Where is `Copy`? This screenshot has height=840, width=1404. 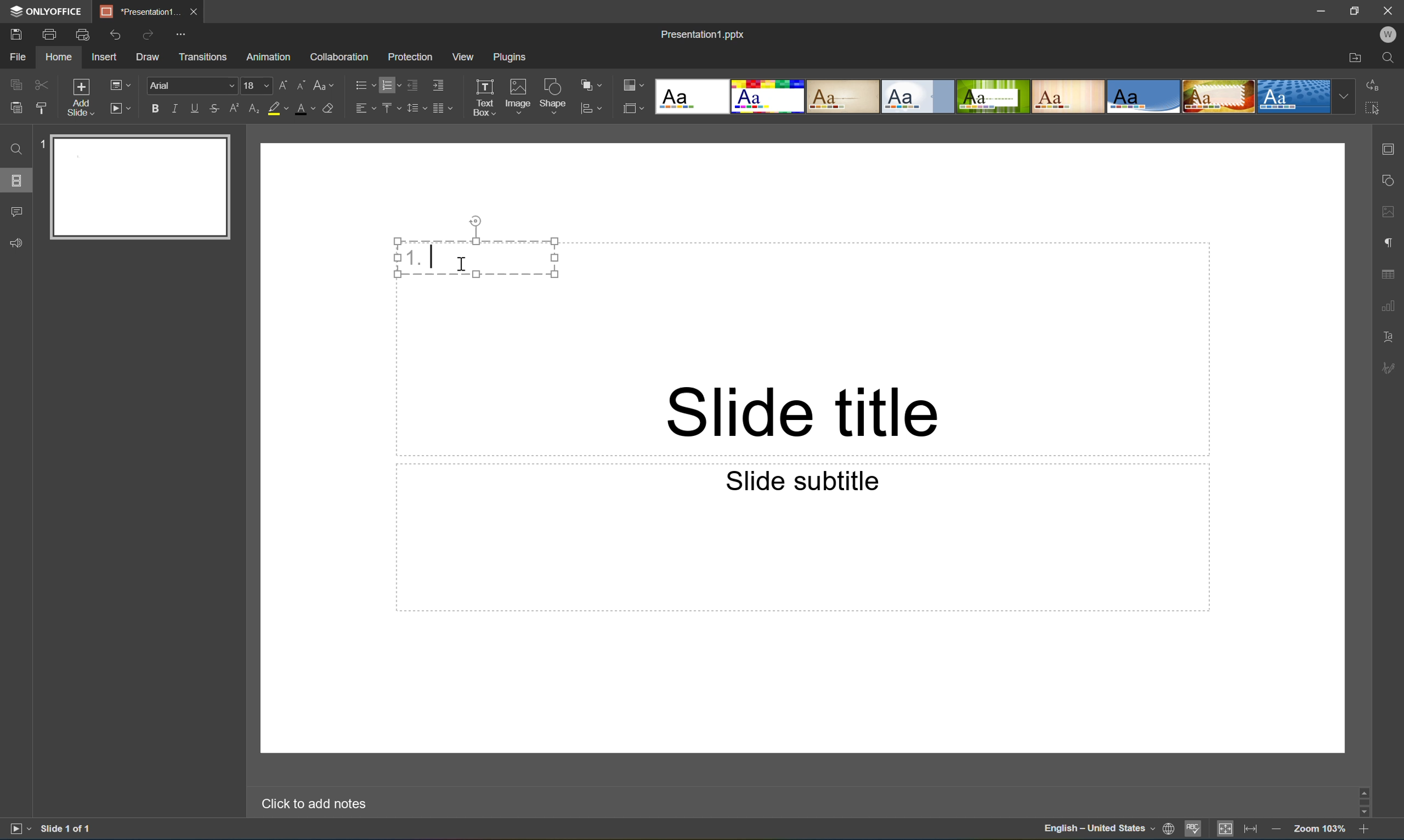
Copy is located at coordinates (14, 81).